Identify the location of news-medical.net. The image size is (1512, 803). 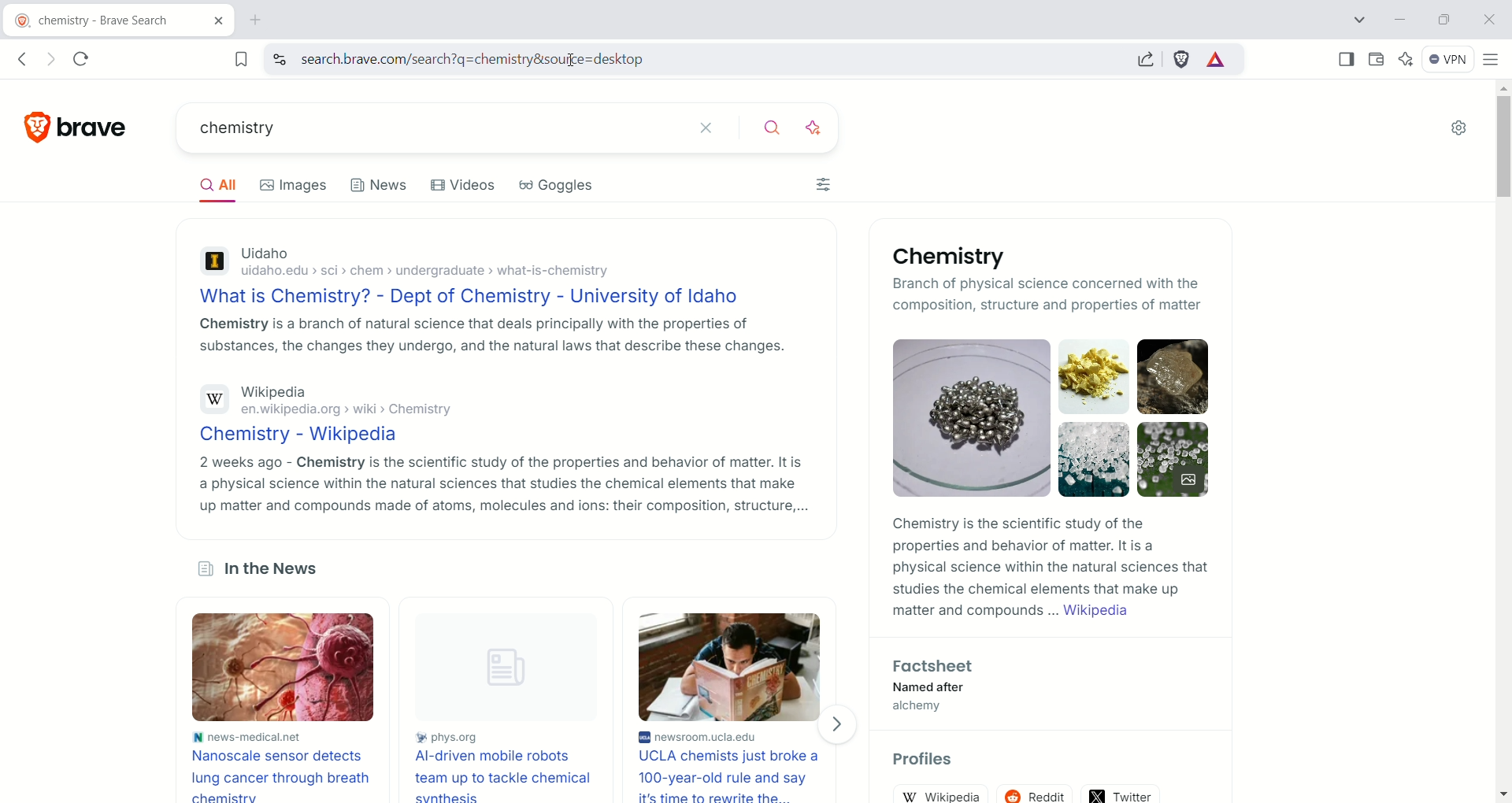
(247, 736).